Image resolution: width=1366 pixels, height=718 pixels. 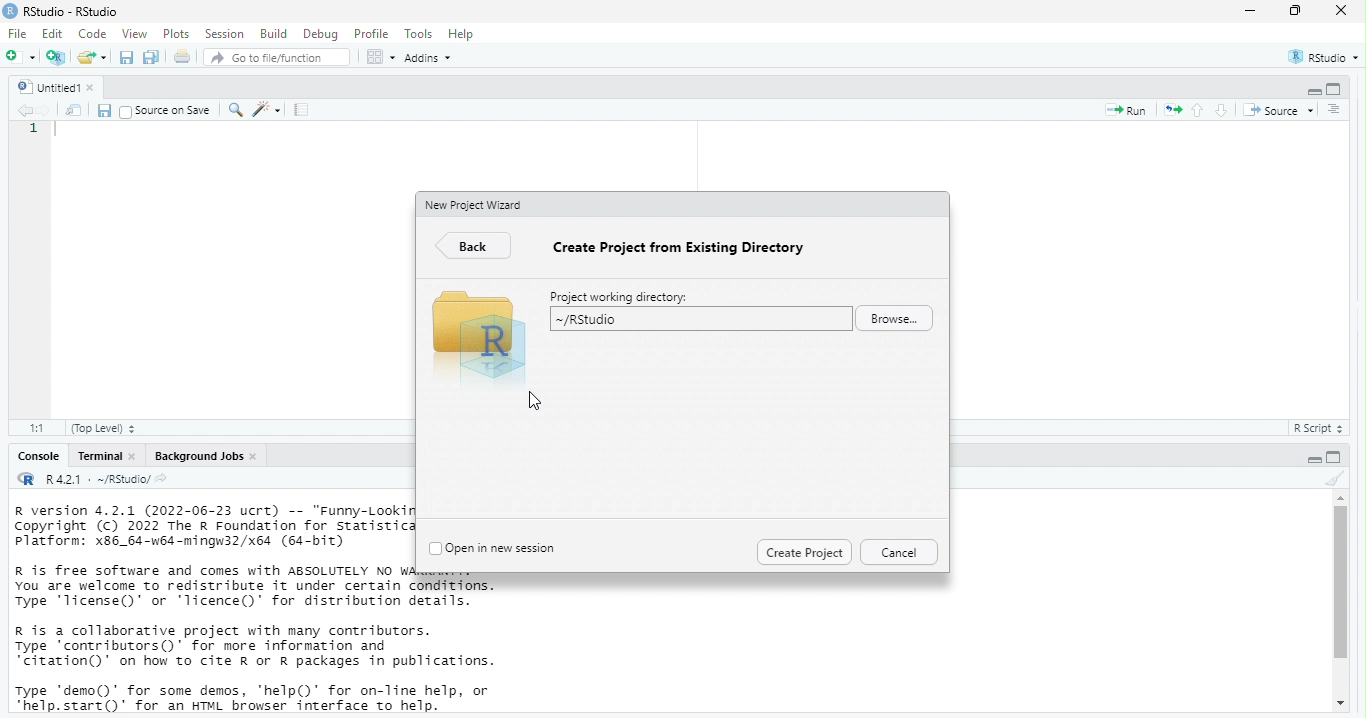 What do you see at coordinates (63, 131) in the screenshot?
I see `typing cursor` at bounding box center [63, 131].